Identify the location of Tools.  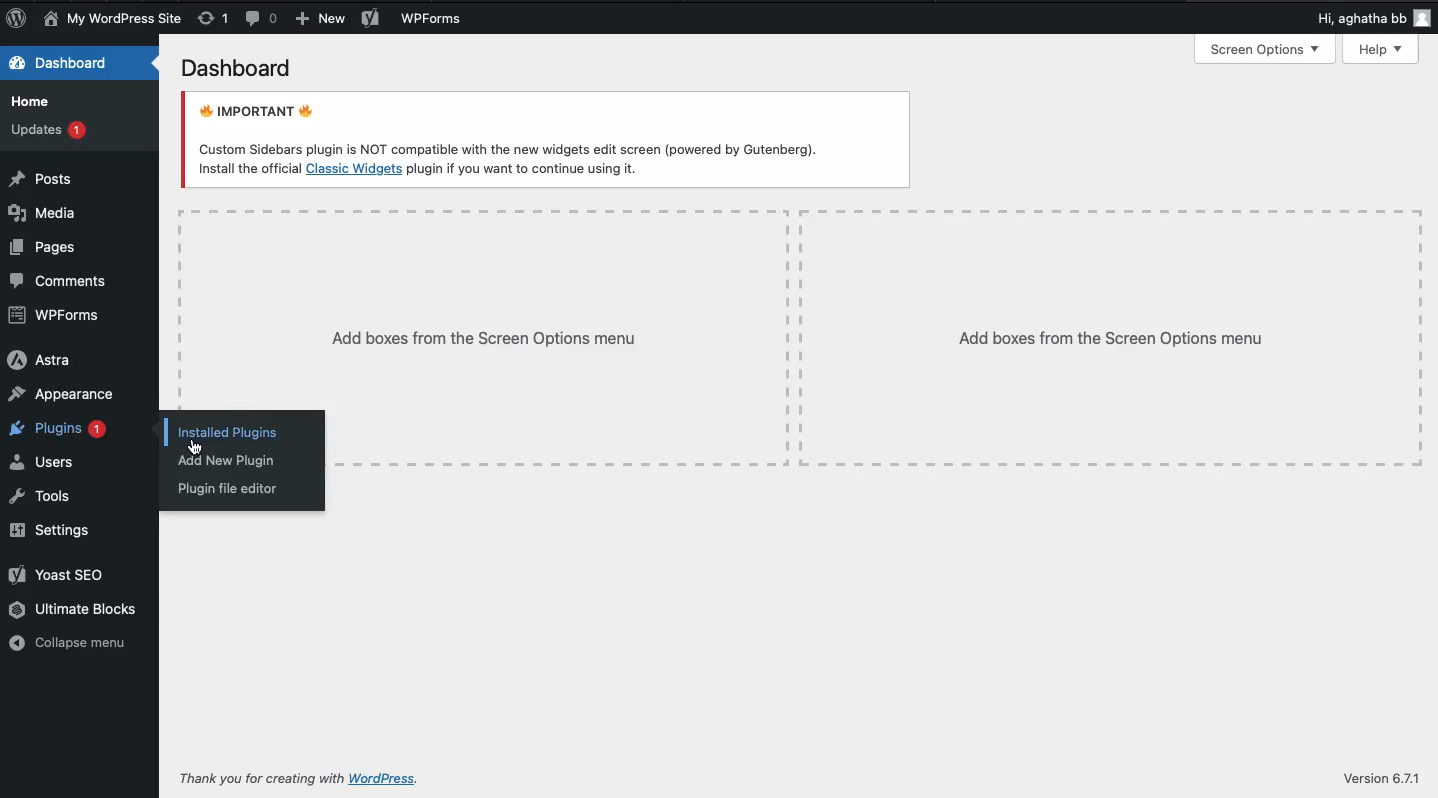
(39, 497).